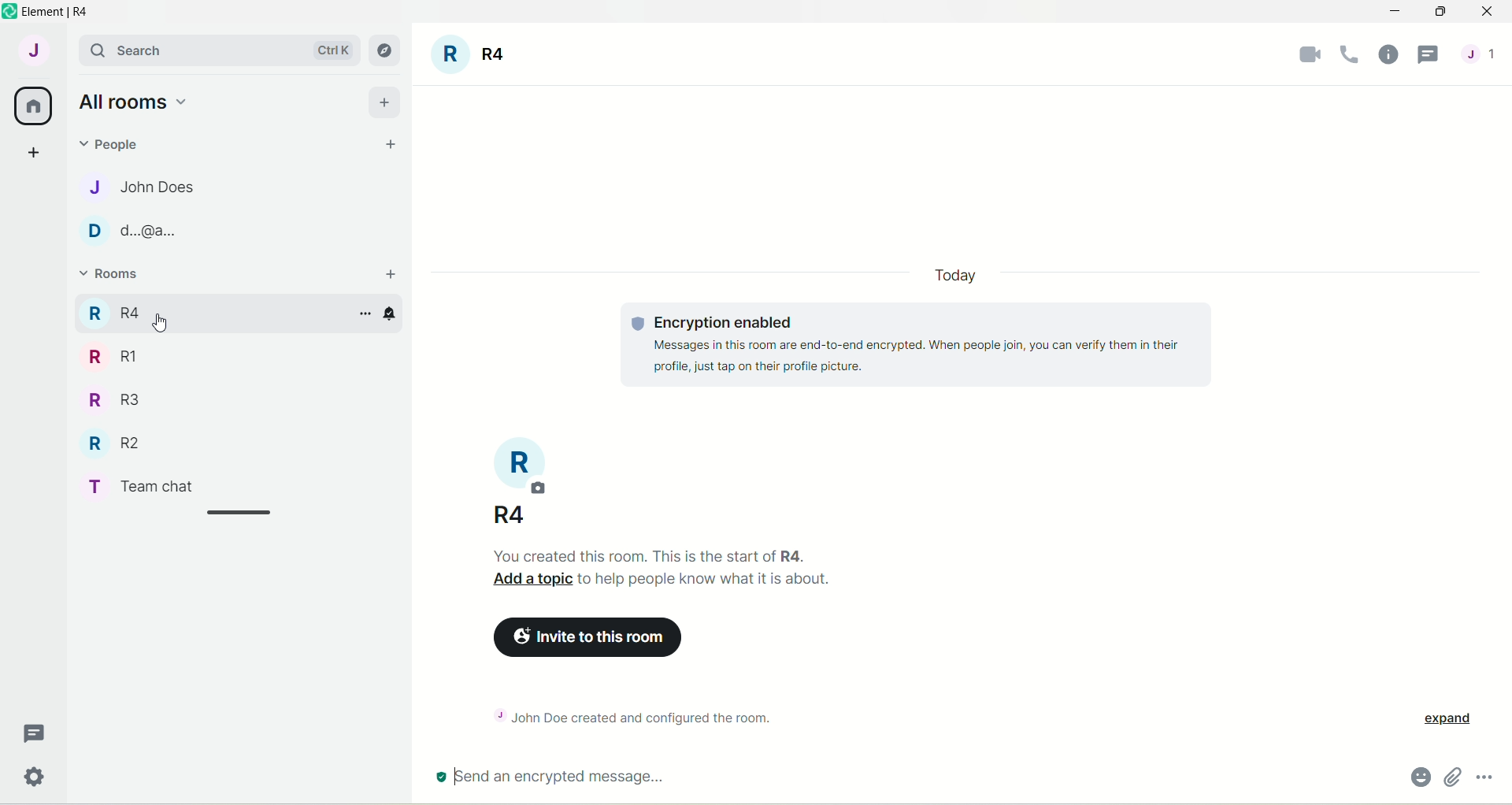 The image size is (1512, 805). I want to click on notification, so click(398, 317).